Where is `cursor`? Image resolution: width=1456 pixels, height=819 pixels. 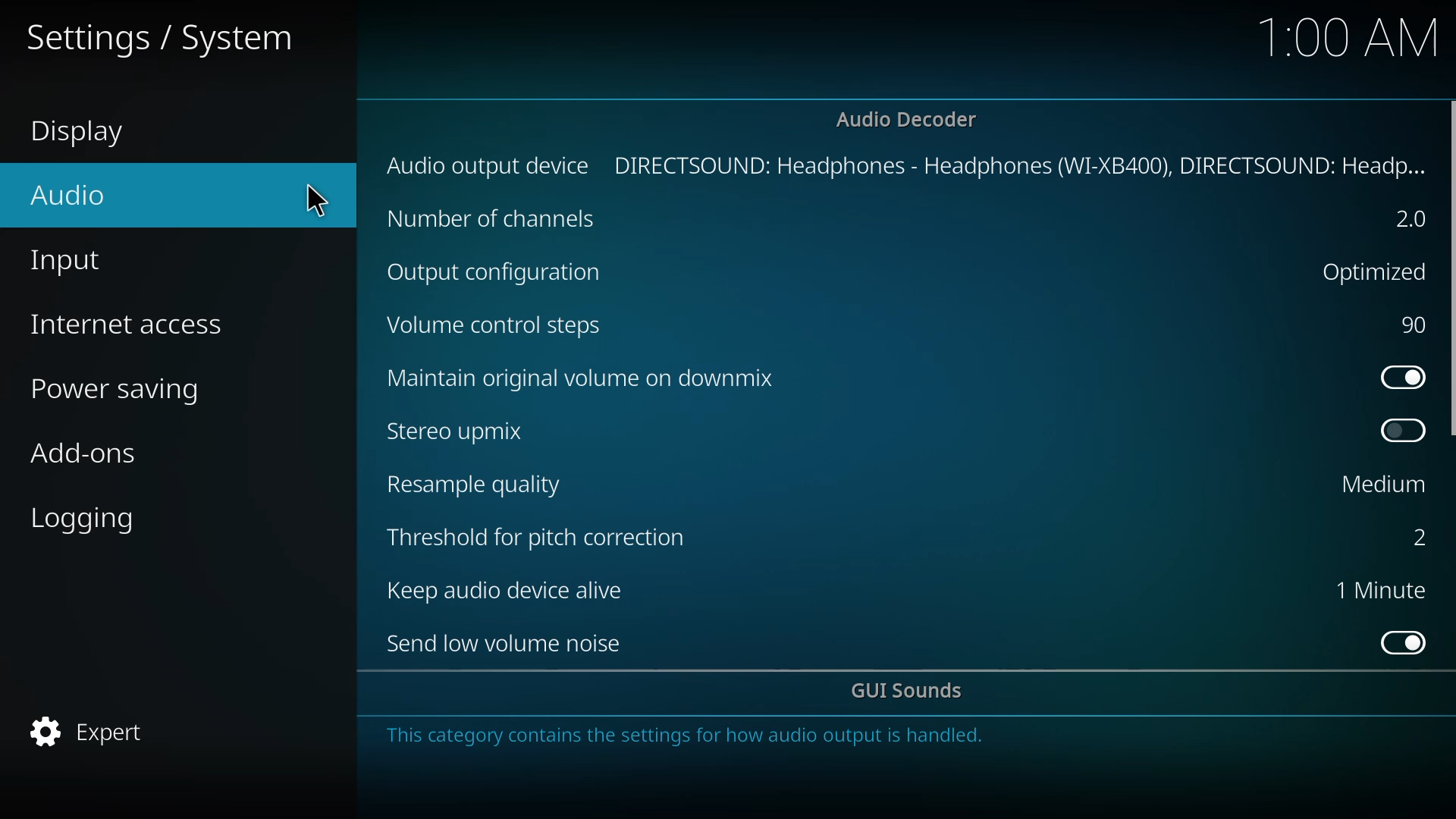 cursor is located at coordinates (315, 199).